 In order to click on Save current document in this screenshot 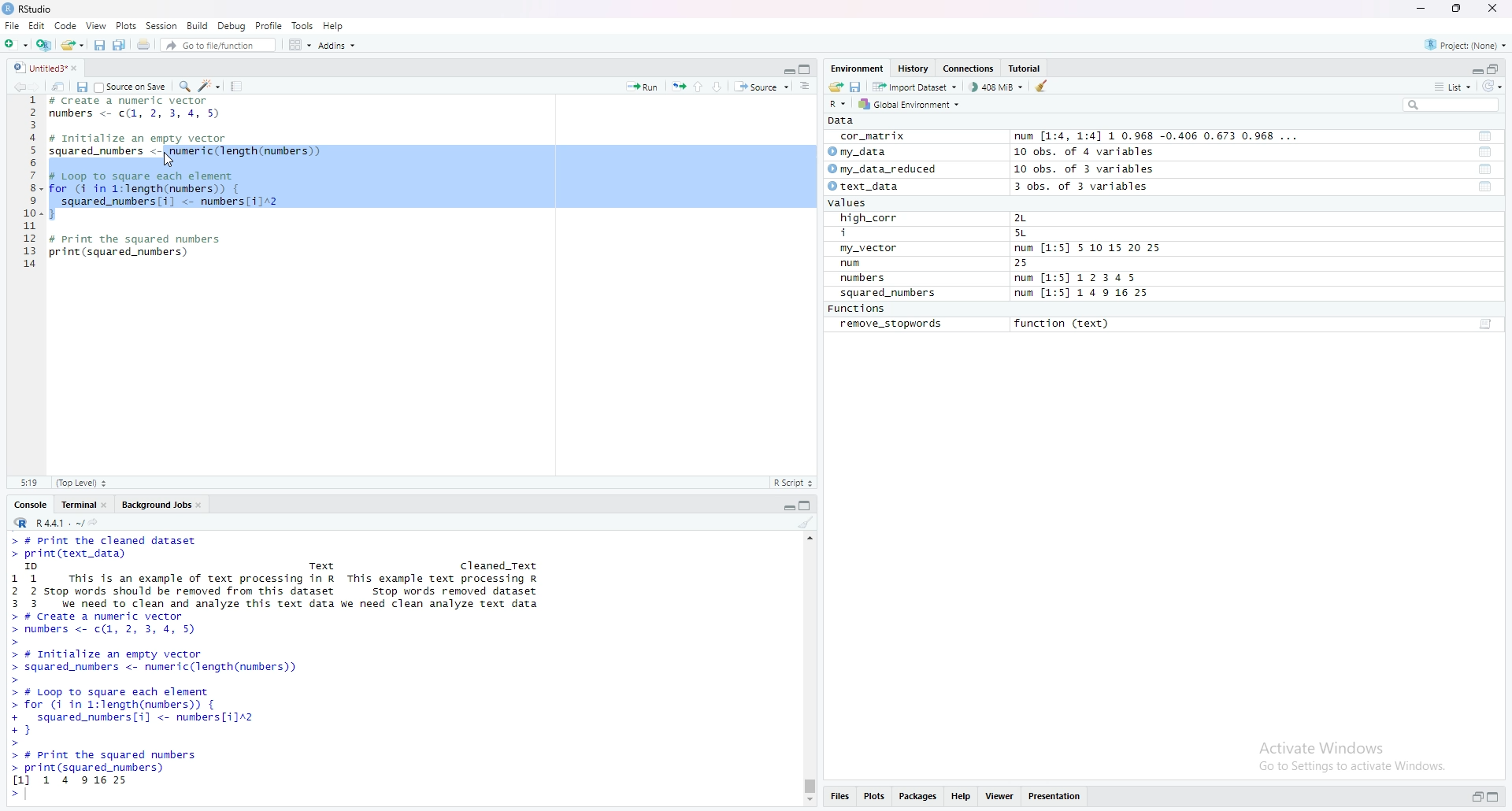, I will do `click(99, 43)`.